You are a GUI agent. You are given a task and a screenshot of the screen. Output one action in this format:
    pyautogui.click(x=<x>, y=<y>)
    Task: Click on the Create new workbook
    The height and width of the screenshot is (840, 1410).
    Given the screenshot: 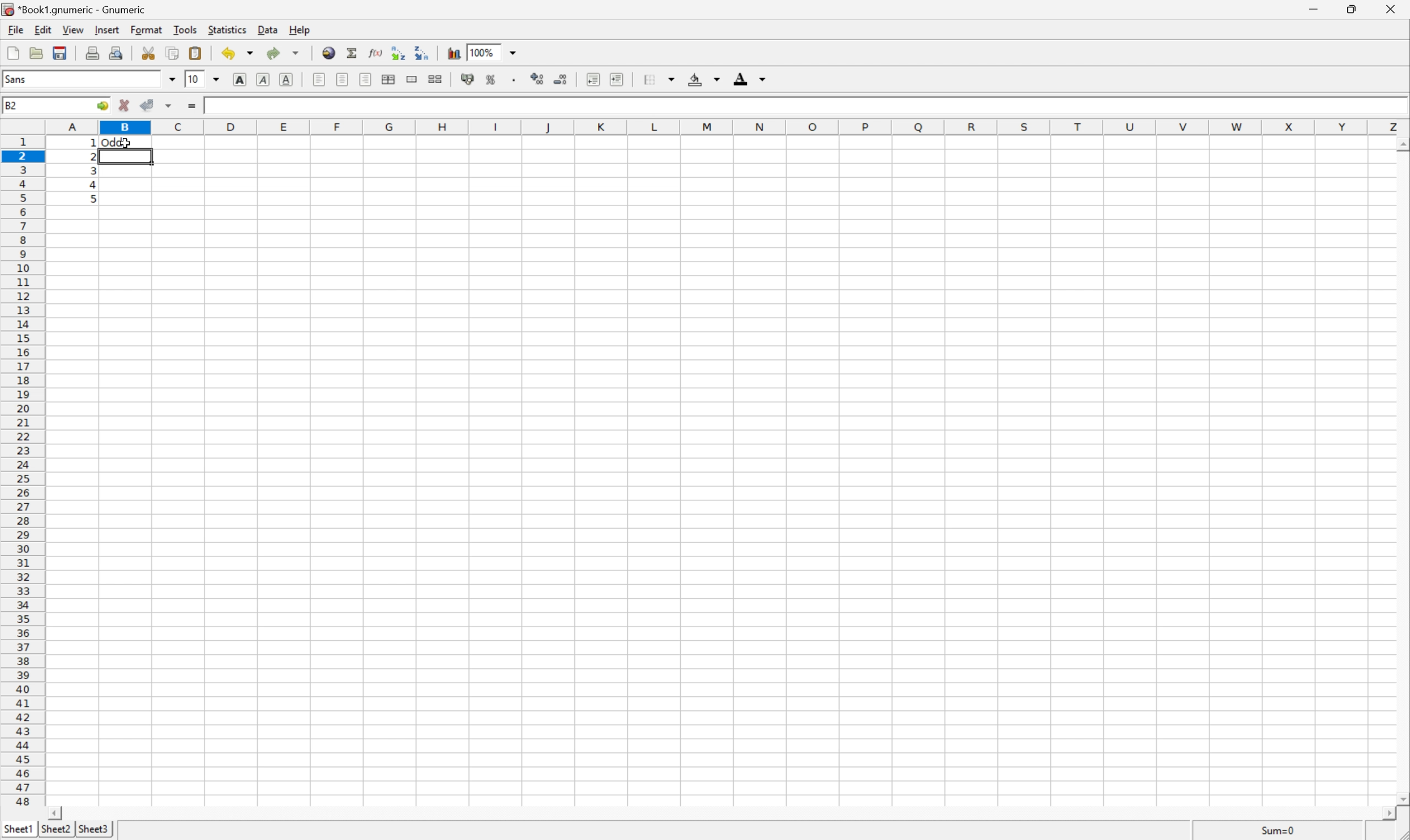 What is the action you would take?
    pyautogui.click(x=11, y=50)
    